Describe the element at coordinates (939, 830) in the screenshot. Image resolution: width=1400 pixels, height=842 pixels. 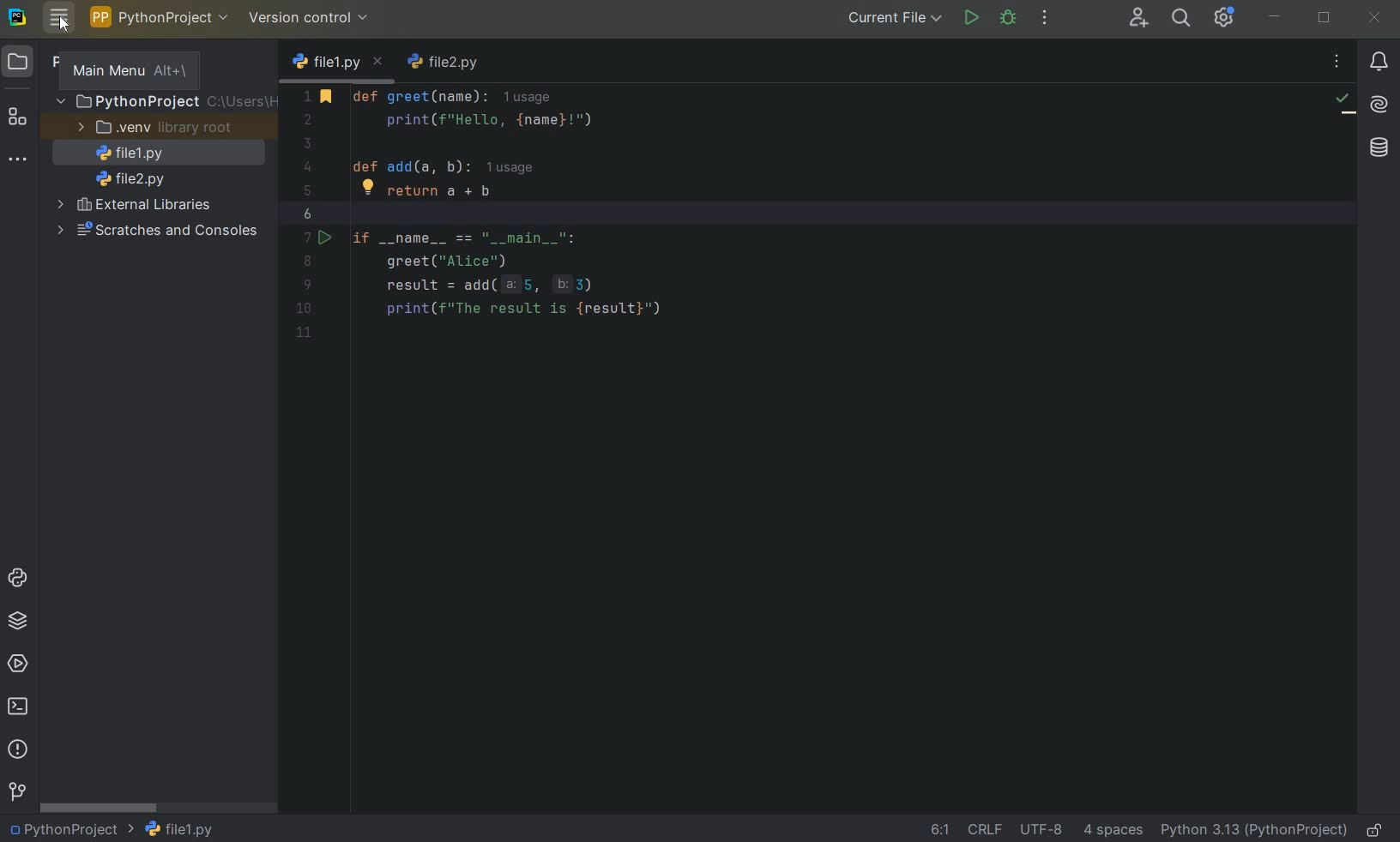
I see `go to line` at that location.